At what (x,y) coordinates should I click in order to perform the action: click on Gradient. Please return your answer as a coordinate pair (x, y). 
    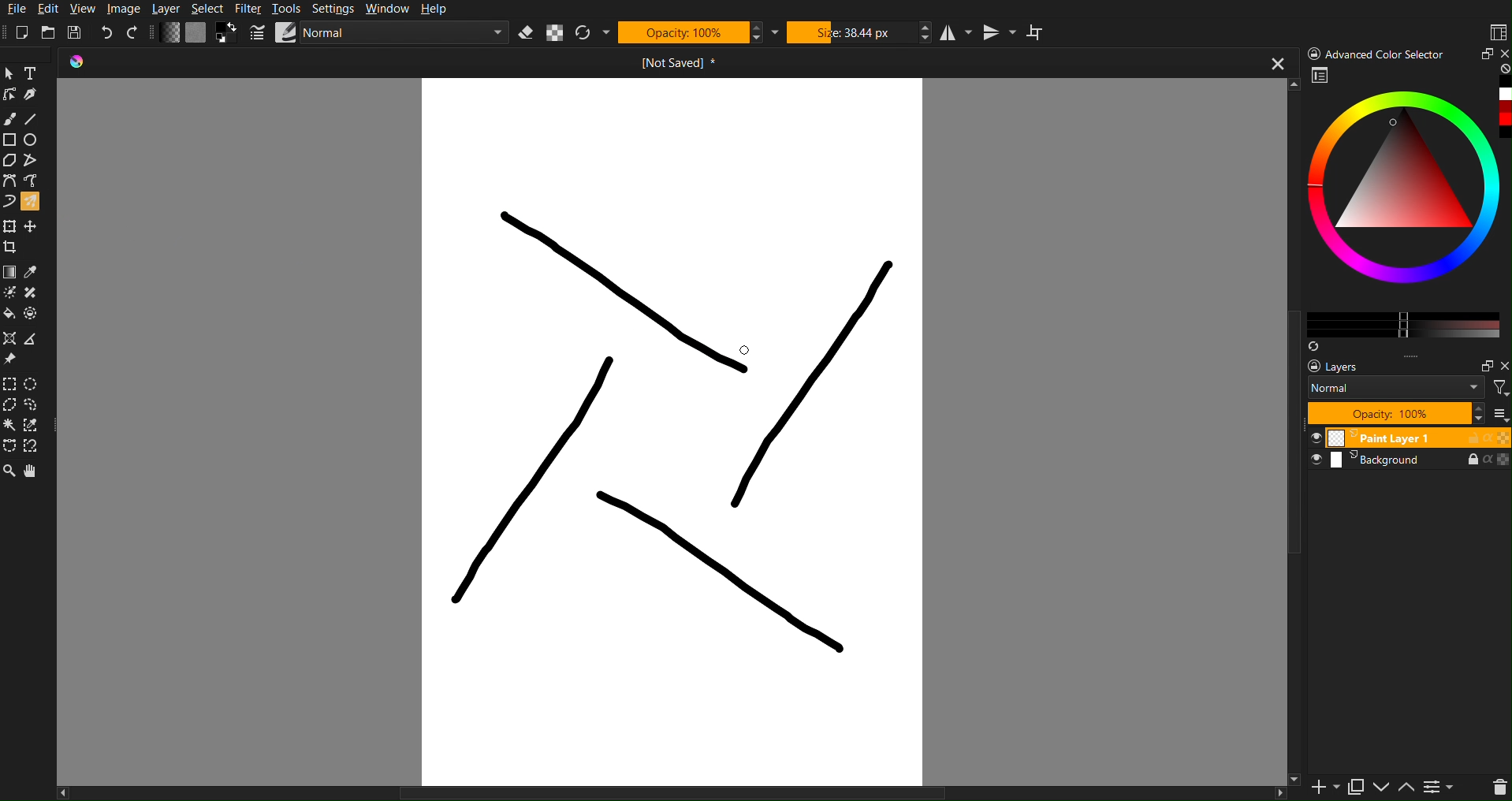
    Looking at the image, I should click on (10, 270).